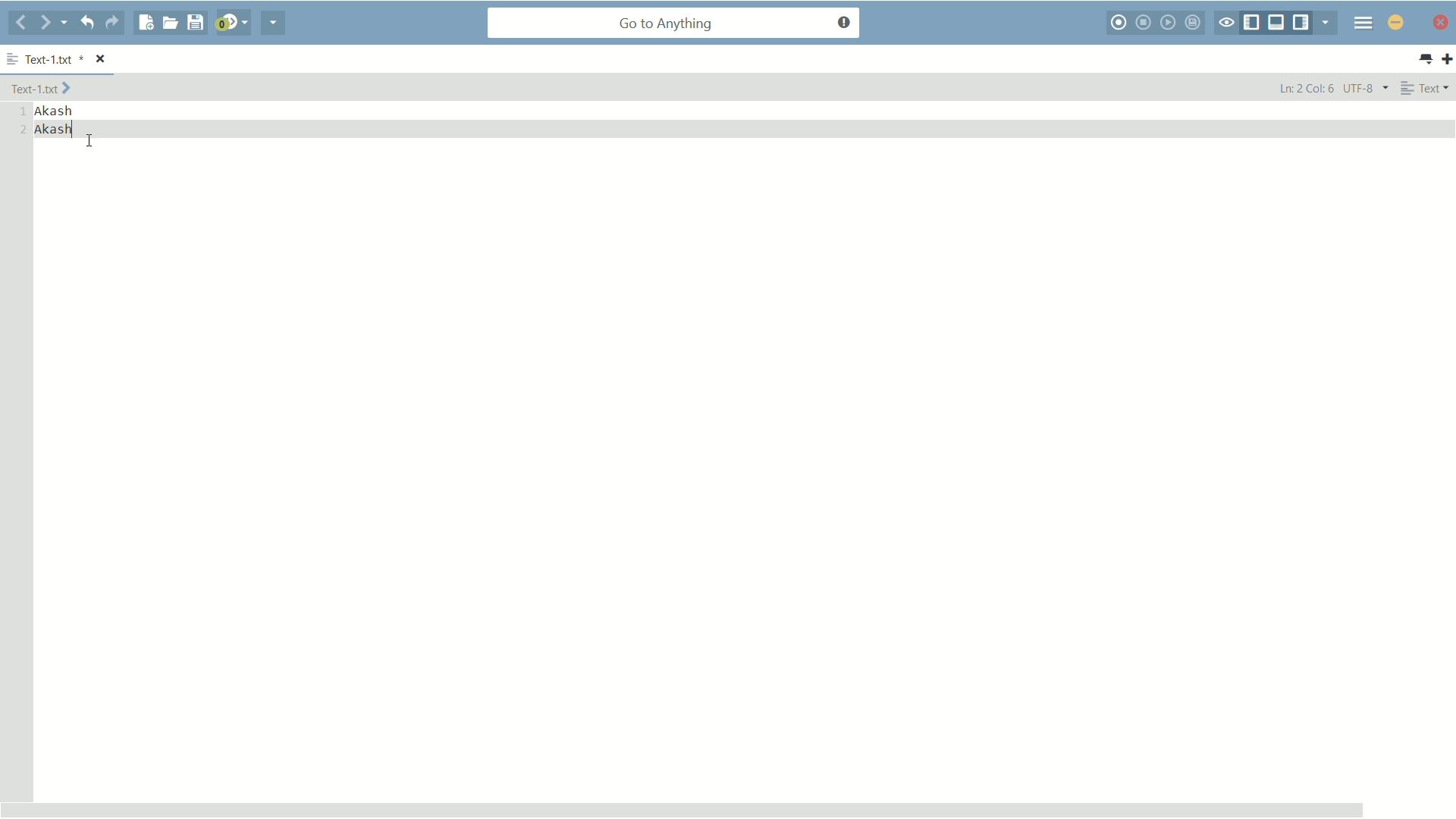  I want to click on file type, so click(1428, 89).